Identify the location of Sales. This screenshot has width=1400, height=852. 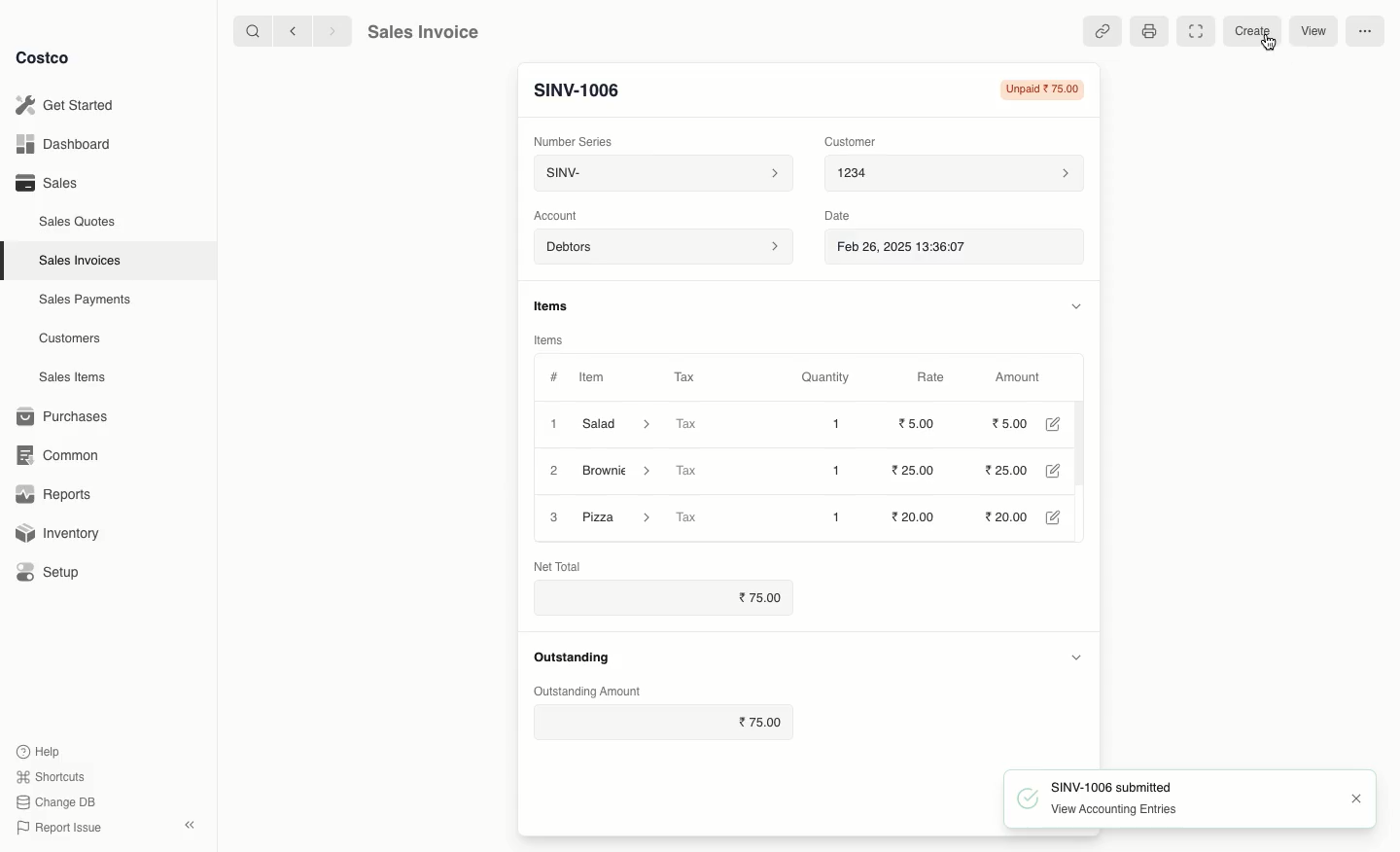
(46, 183).